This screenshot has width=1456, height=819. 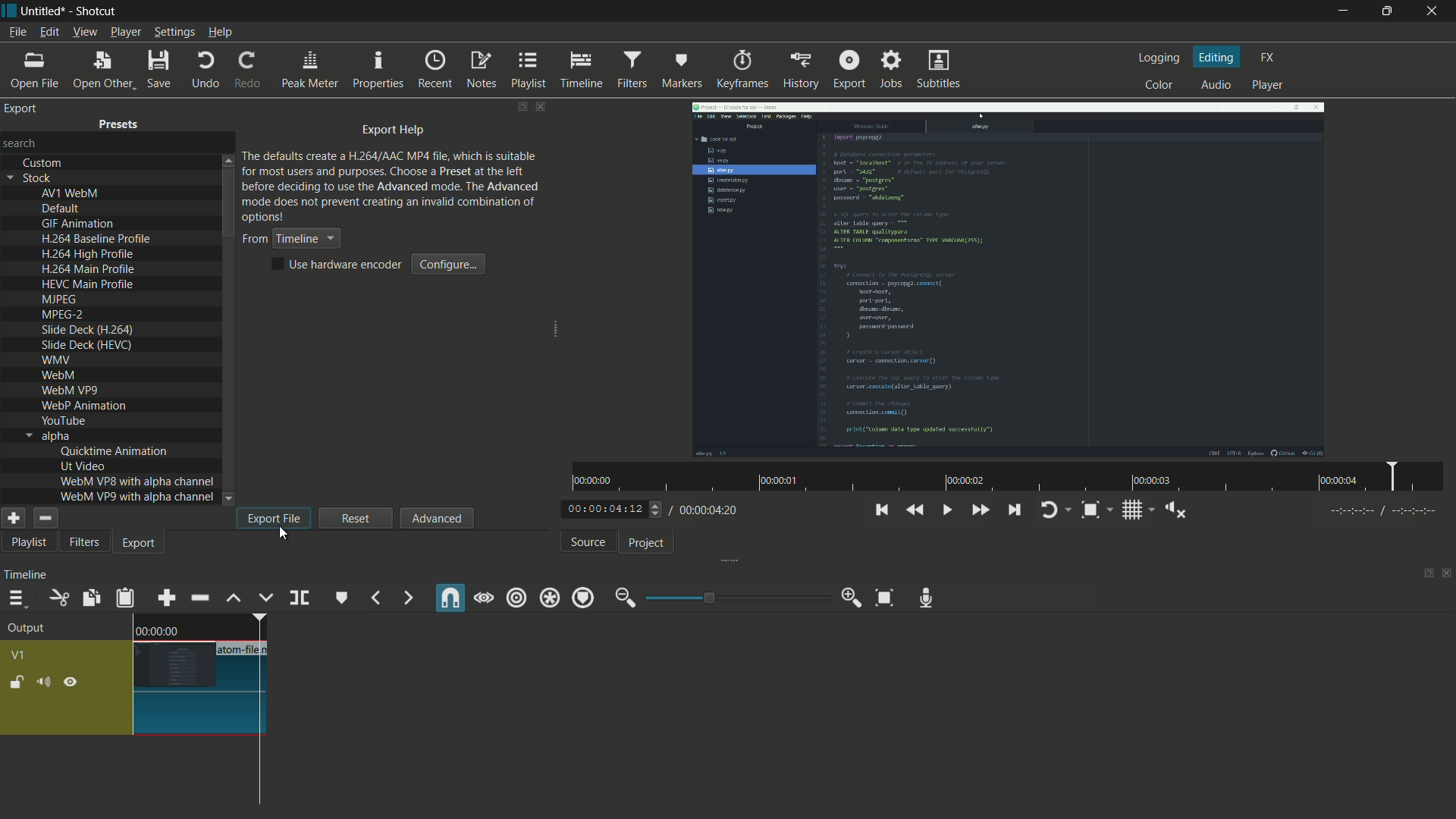 I want to click on h.264 baseline profile, so click(x=99, y=239).